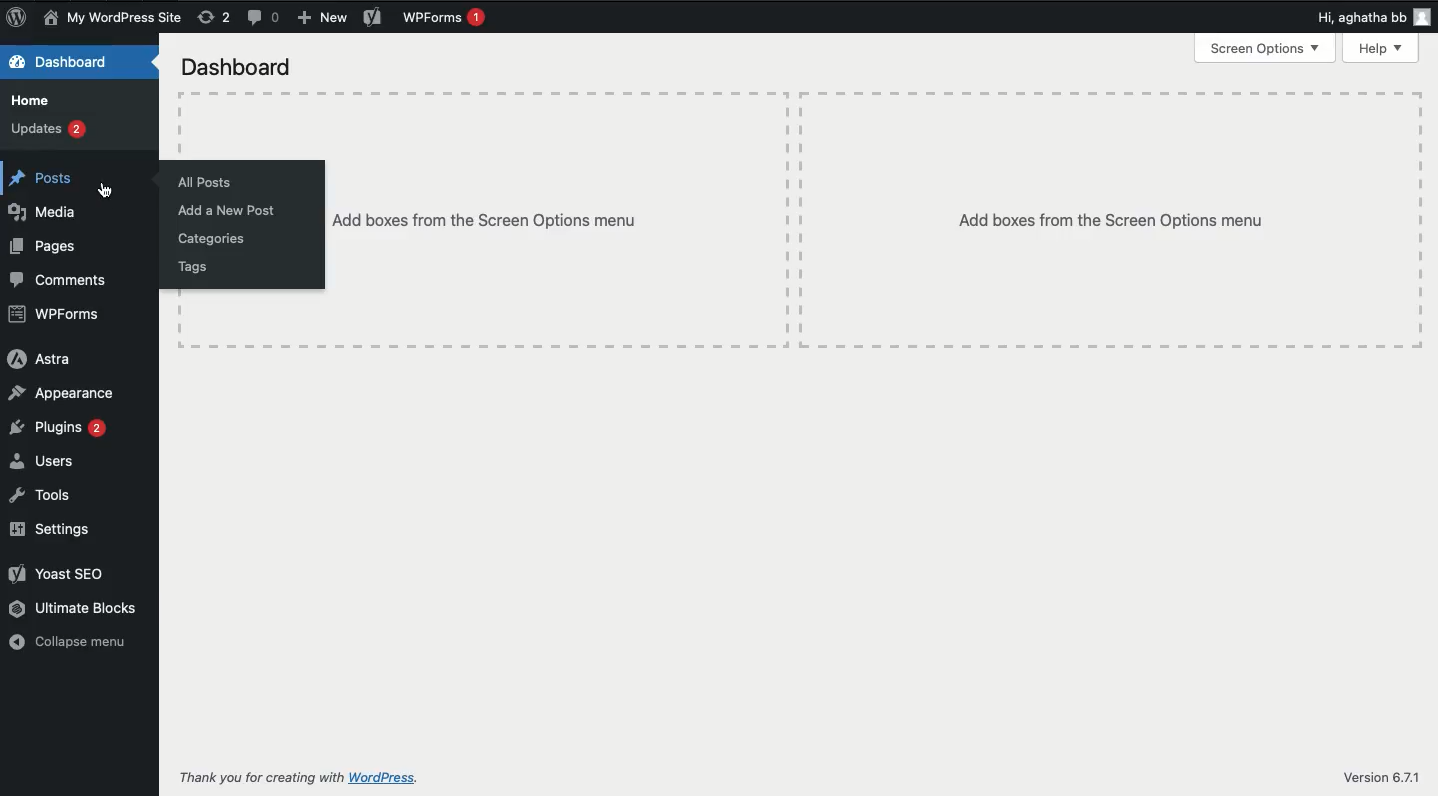 This screenshot has width=1438, height=796. What do you see at coordinates (62, 395) in the screenshot?
I see `Appearance ` at bounding box center [62, 395].